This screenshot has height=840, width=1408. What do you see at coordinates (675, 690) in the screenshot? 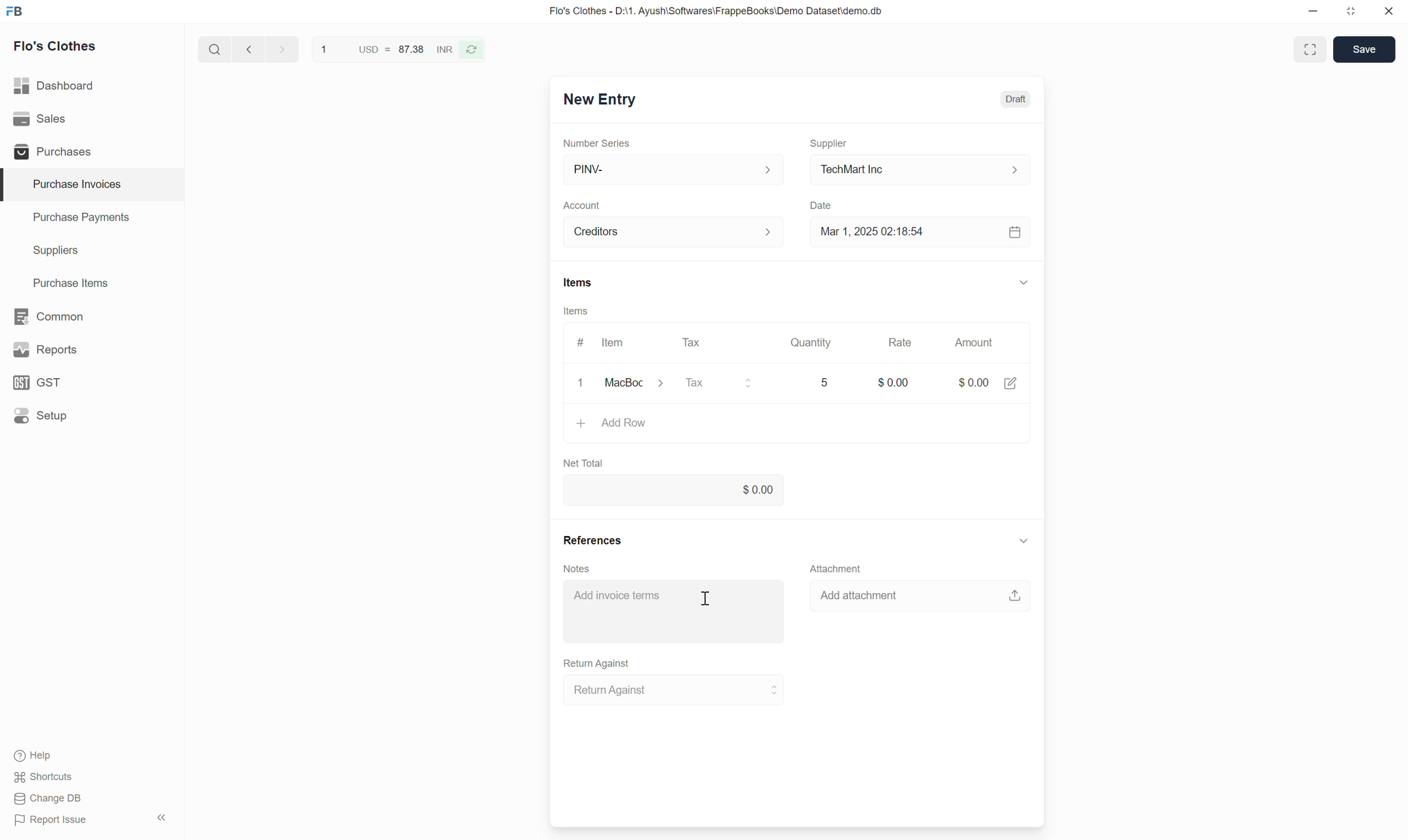
I see `Return Against` at bounding box center [675, 690].